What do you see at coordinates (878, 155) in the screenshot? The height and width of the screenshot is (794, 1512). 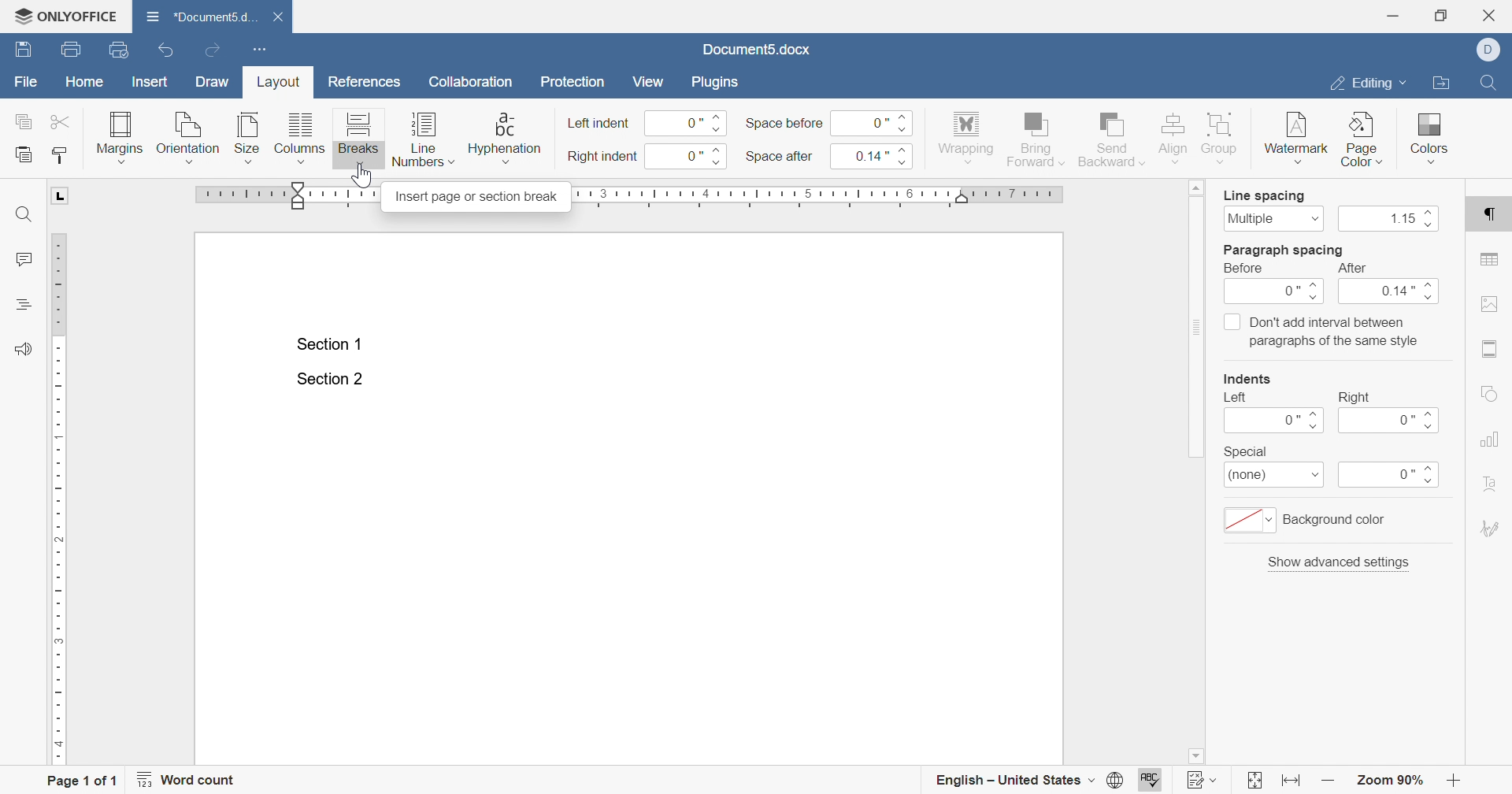 I see `0.14` at bounding box center [878, 155].